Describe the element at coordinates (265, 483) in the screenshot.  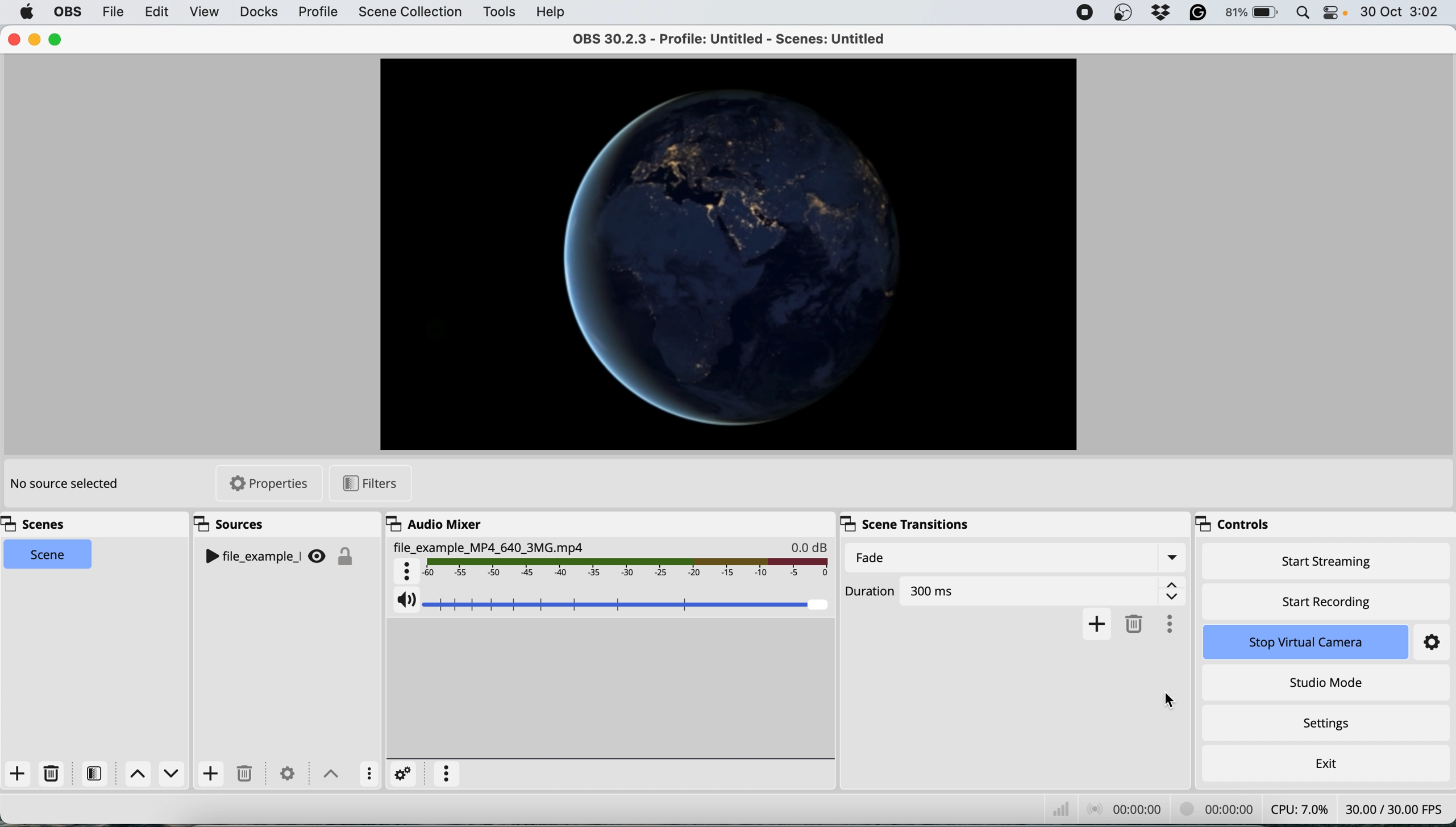
I see `properties` at that location.